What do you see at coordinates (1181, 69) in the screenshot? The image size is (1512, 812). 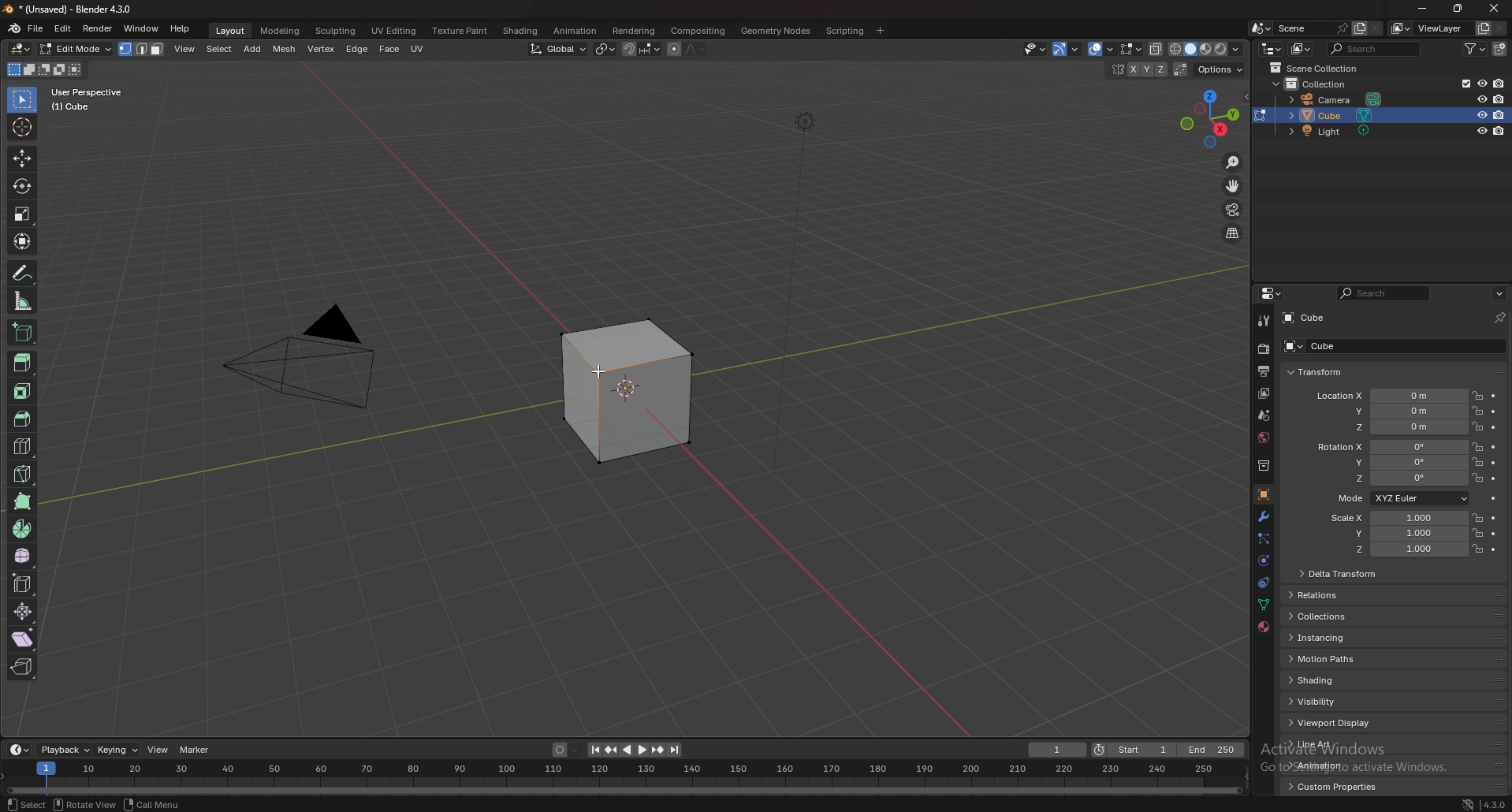 I see `auto merge vertices` at bounding box center [1181, 69].